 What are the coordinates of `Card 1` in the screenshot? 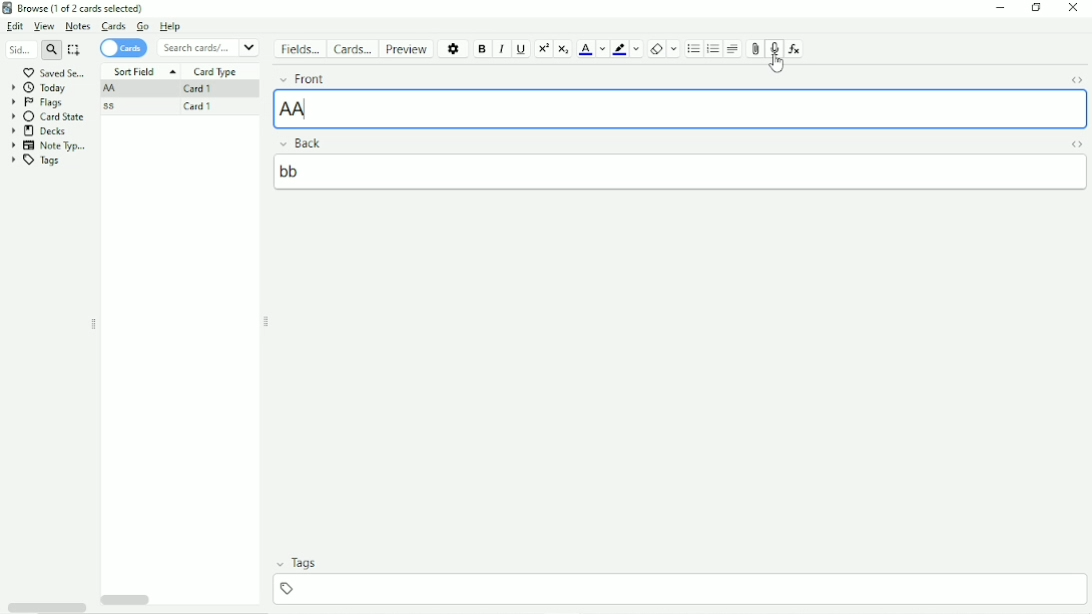 It's located at (200, 89).